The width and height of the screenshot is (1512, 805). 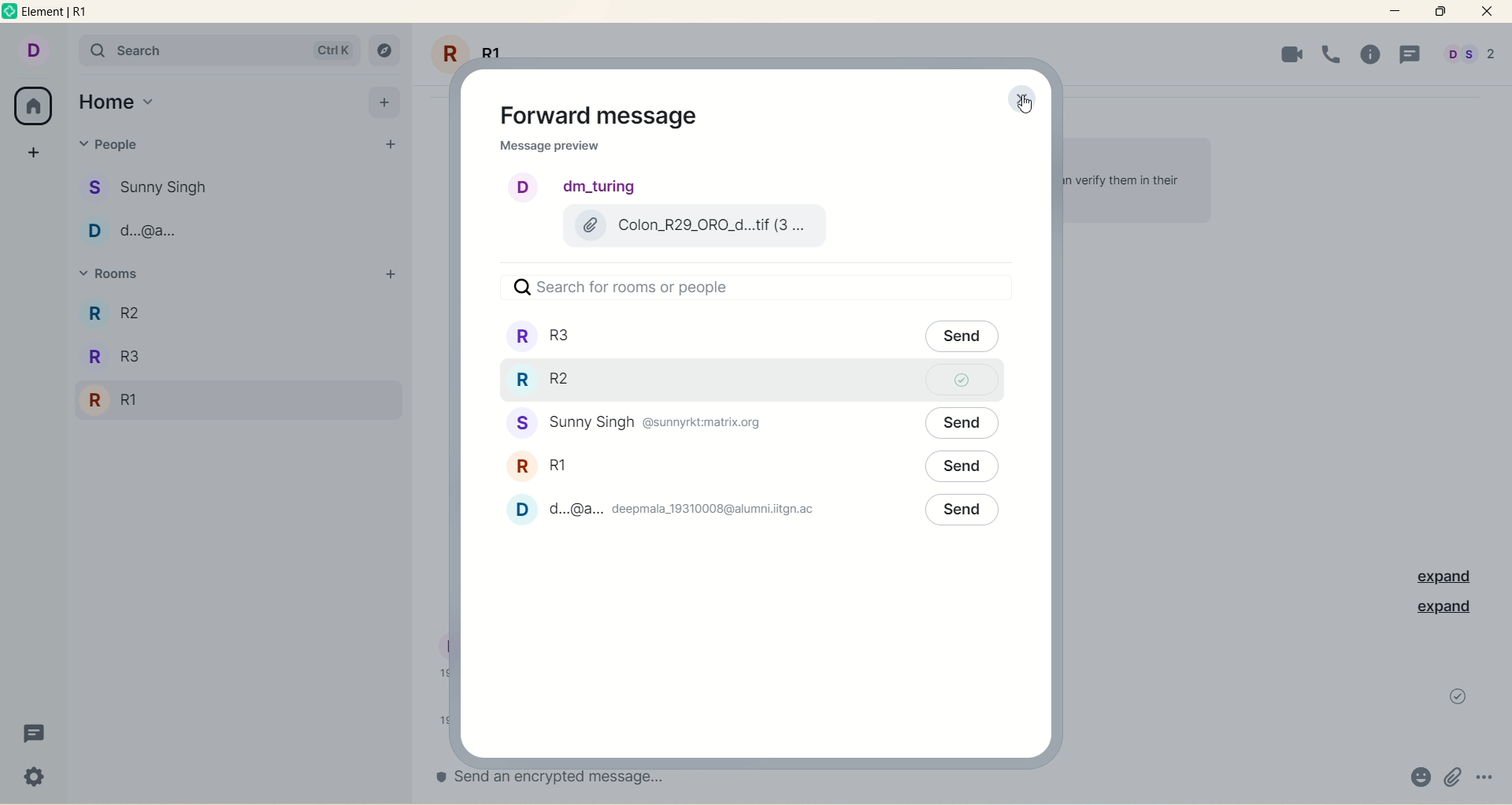 I want to click on cursor, so click(x=1025, y=106).